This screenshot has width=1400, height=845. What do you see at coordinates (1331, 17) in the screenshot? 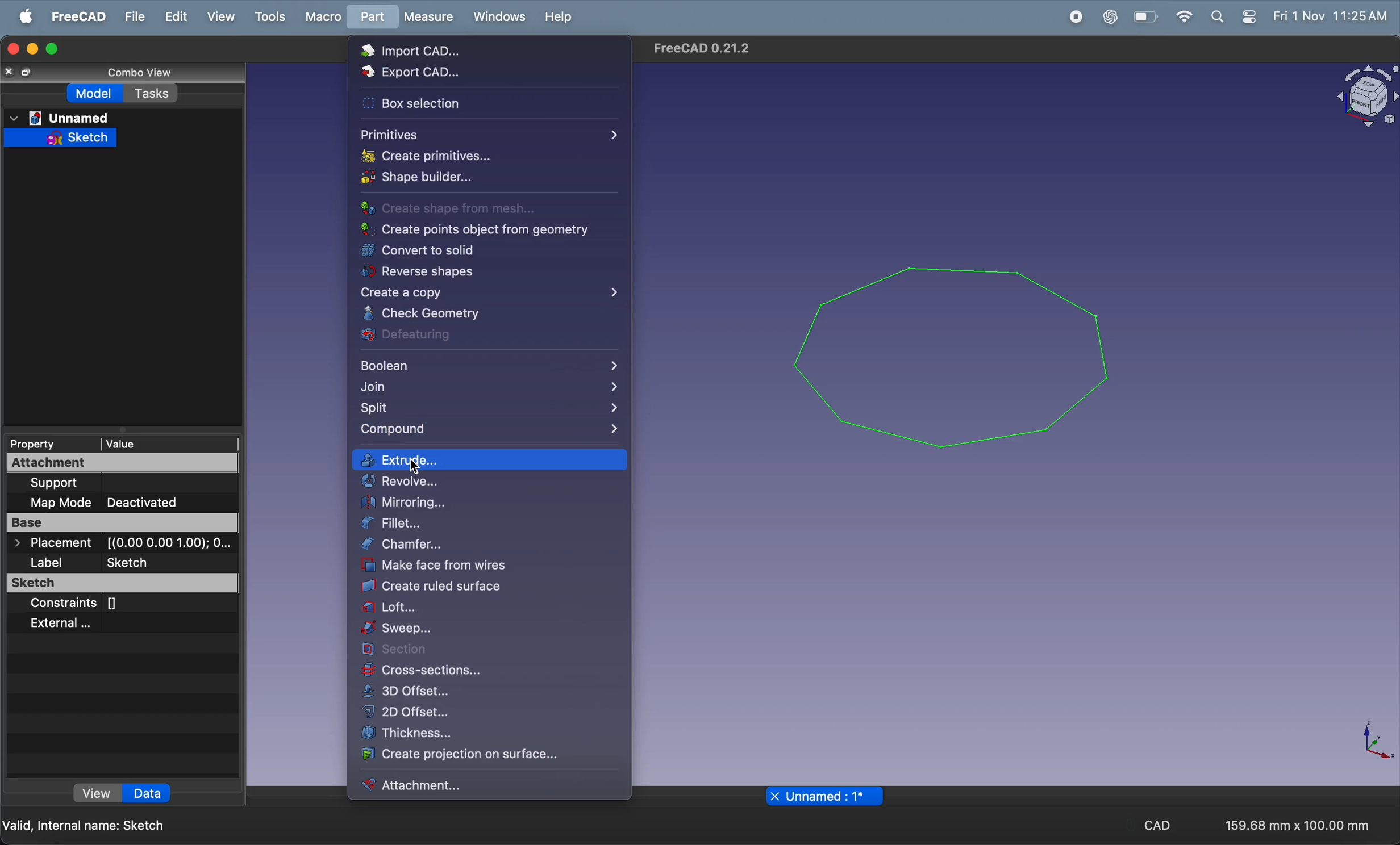
I see `Fri 1 Nov 11:25 AM` at bounding box center [1331, 17].